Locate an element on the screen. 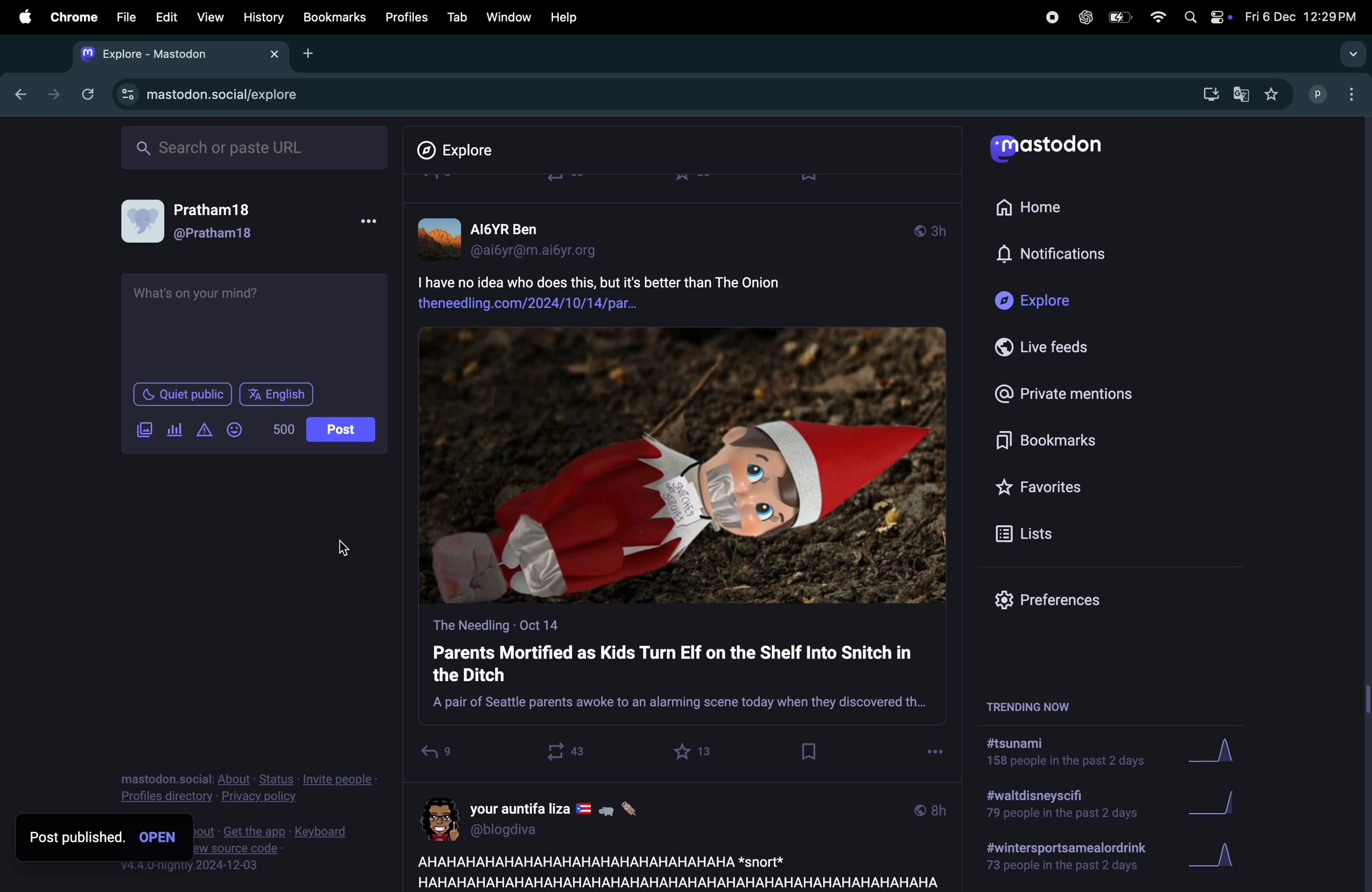 Image resolution: width=1372 pixels, height=892 pixels. lists is located at coordinates (1030, 533).